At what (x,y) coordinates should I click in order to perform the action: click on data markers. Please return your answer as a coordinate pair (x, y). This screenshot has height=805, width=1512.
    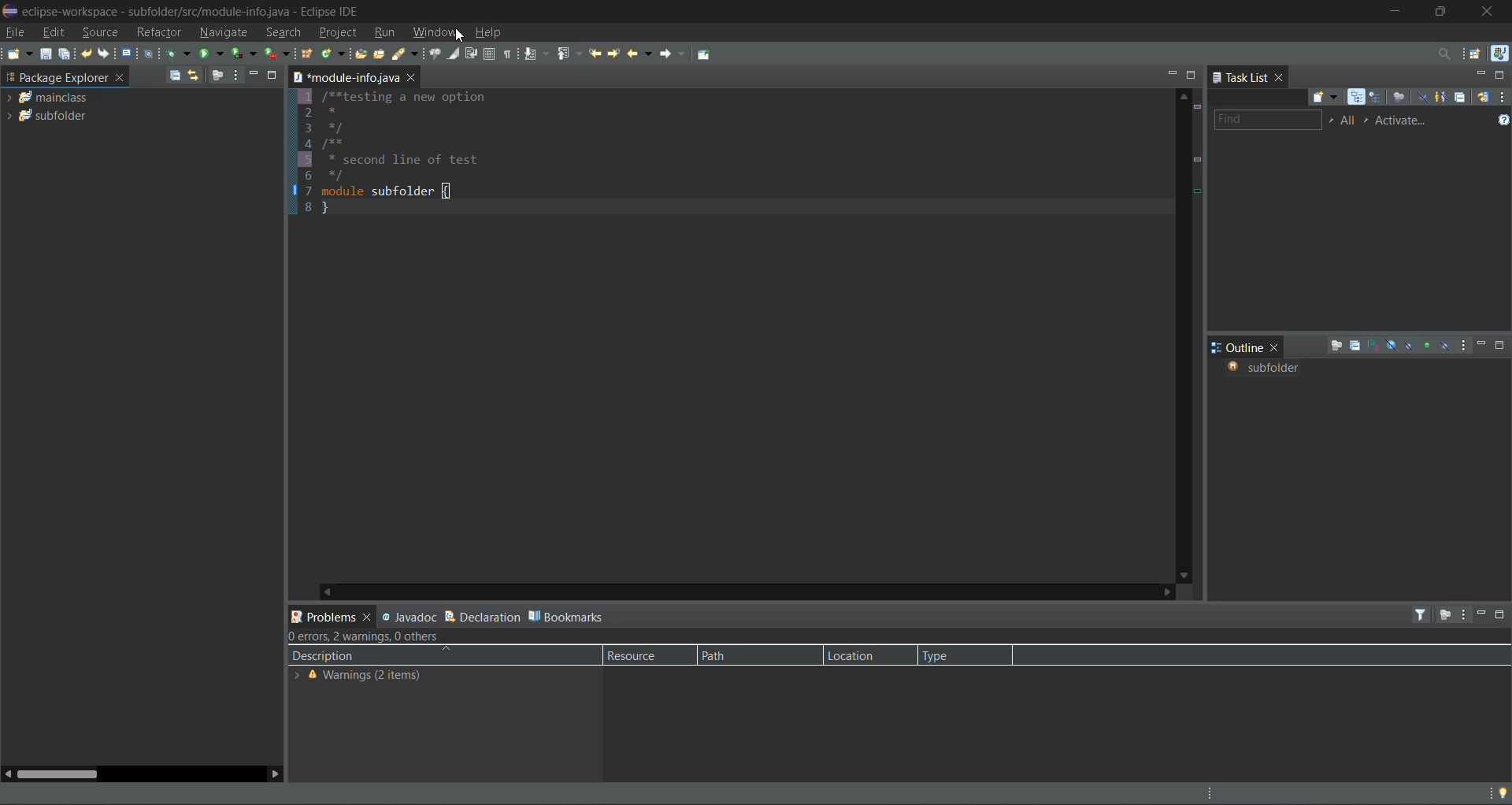
    Looking at the image, I should click on (1196, 186).